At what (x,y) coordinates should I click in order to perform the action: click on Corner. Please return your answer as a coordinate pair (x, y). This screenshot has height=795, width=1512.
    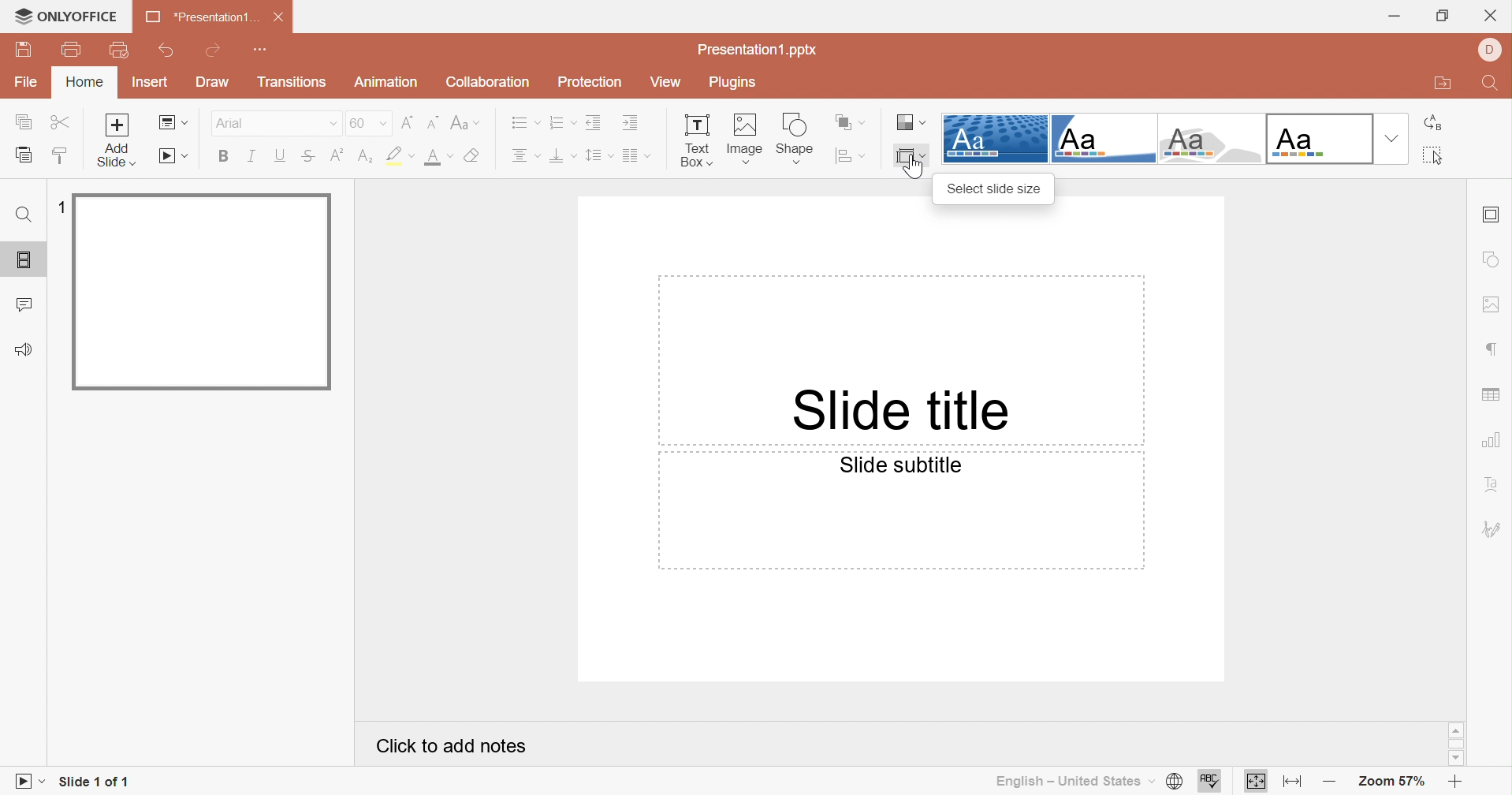
    Looking at the image, I should click on (1103, 138).